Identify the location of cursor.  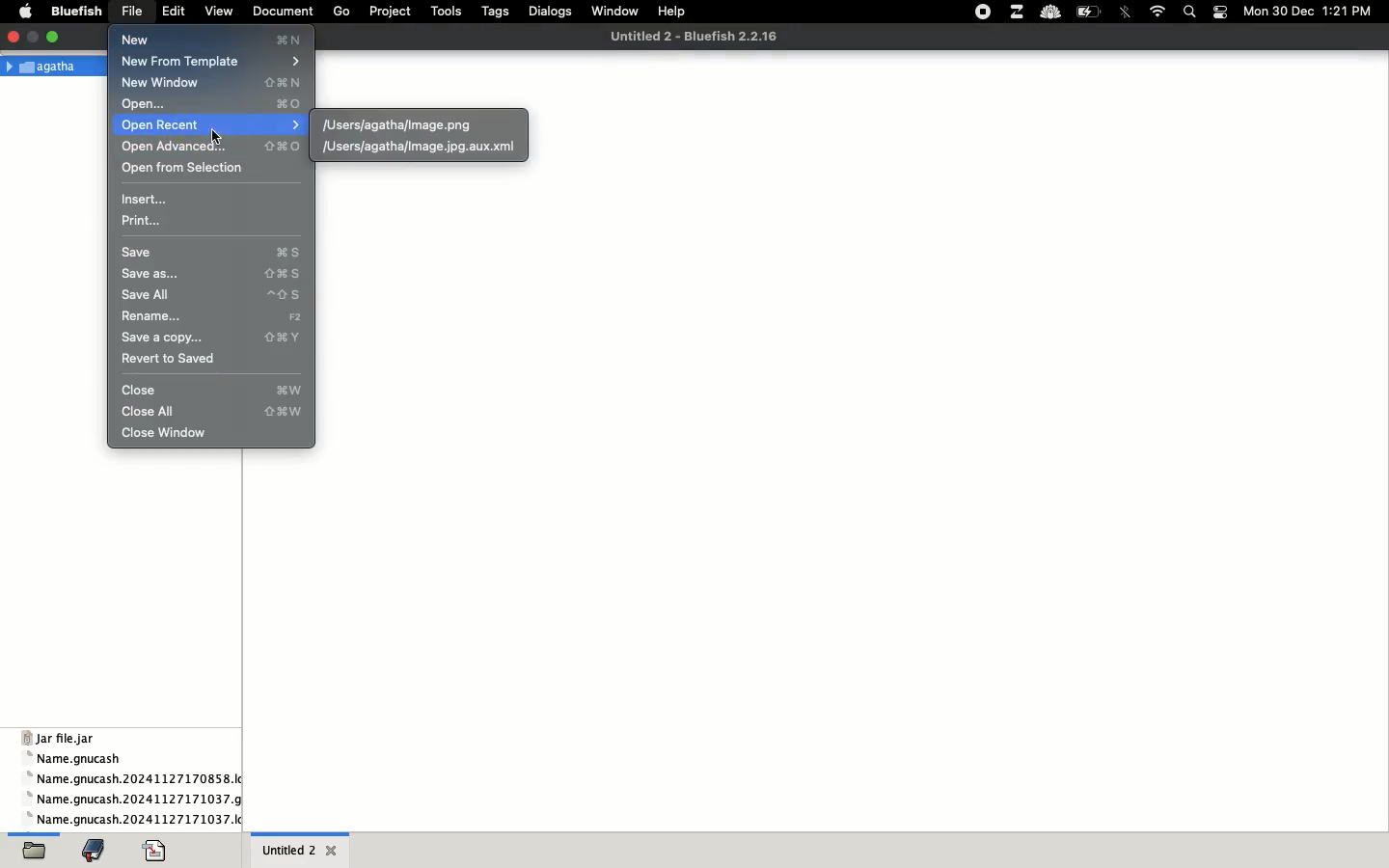
(217, 135).